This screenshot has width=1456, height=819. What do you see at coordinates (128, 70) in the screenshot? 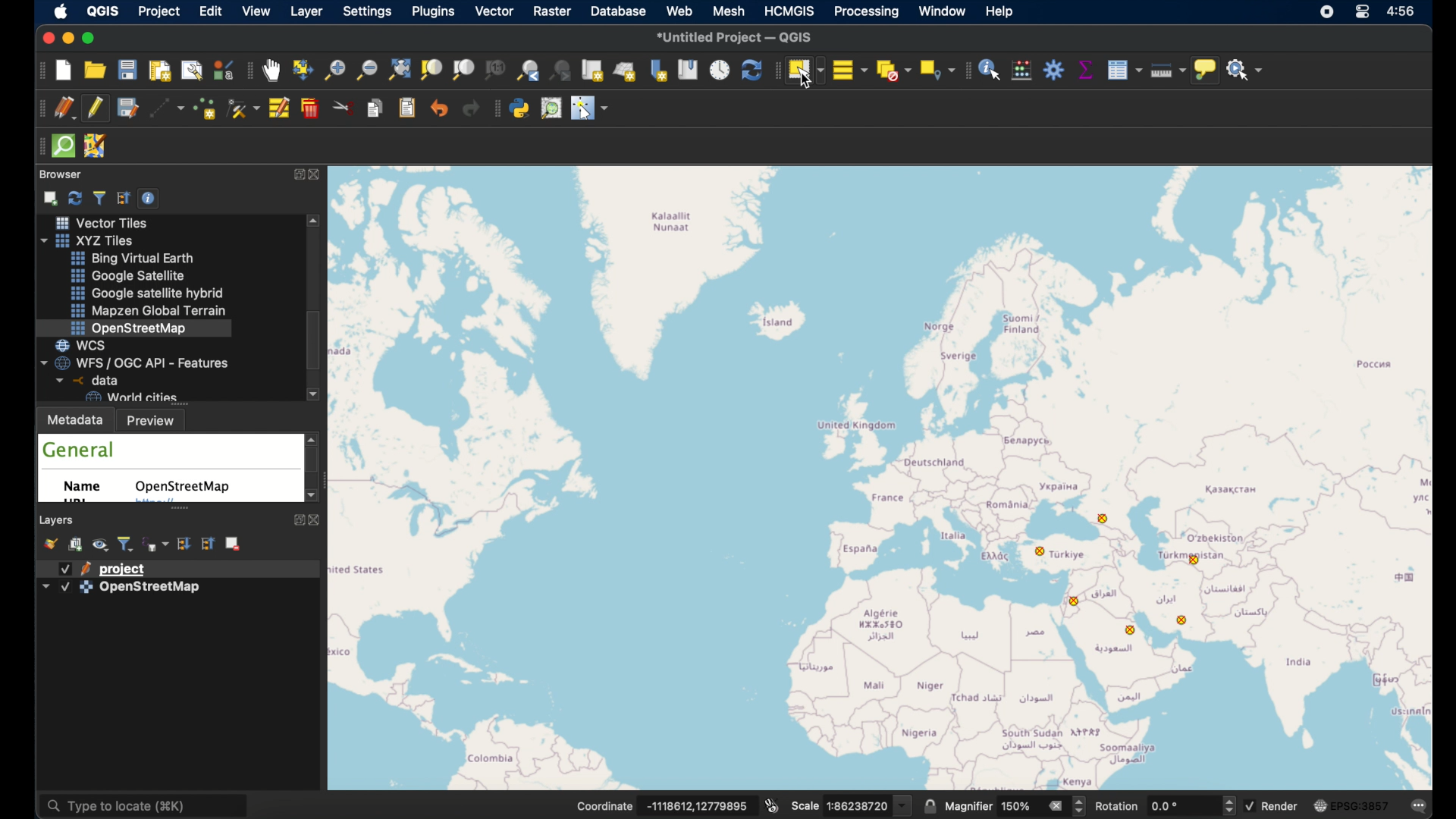
I see `save project` at bounding box center [128, 70].